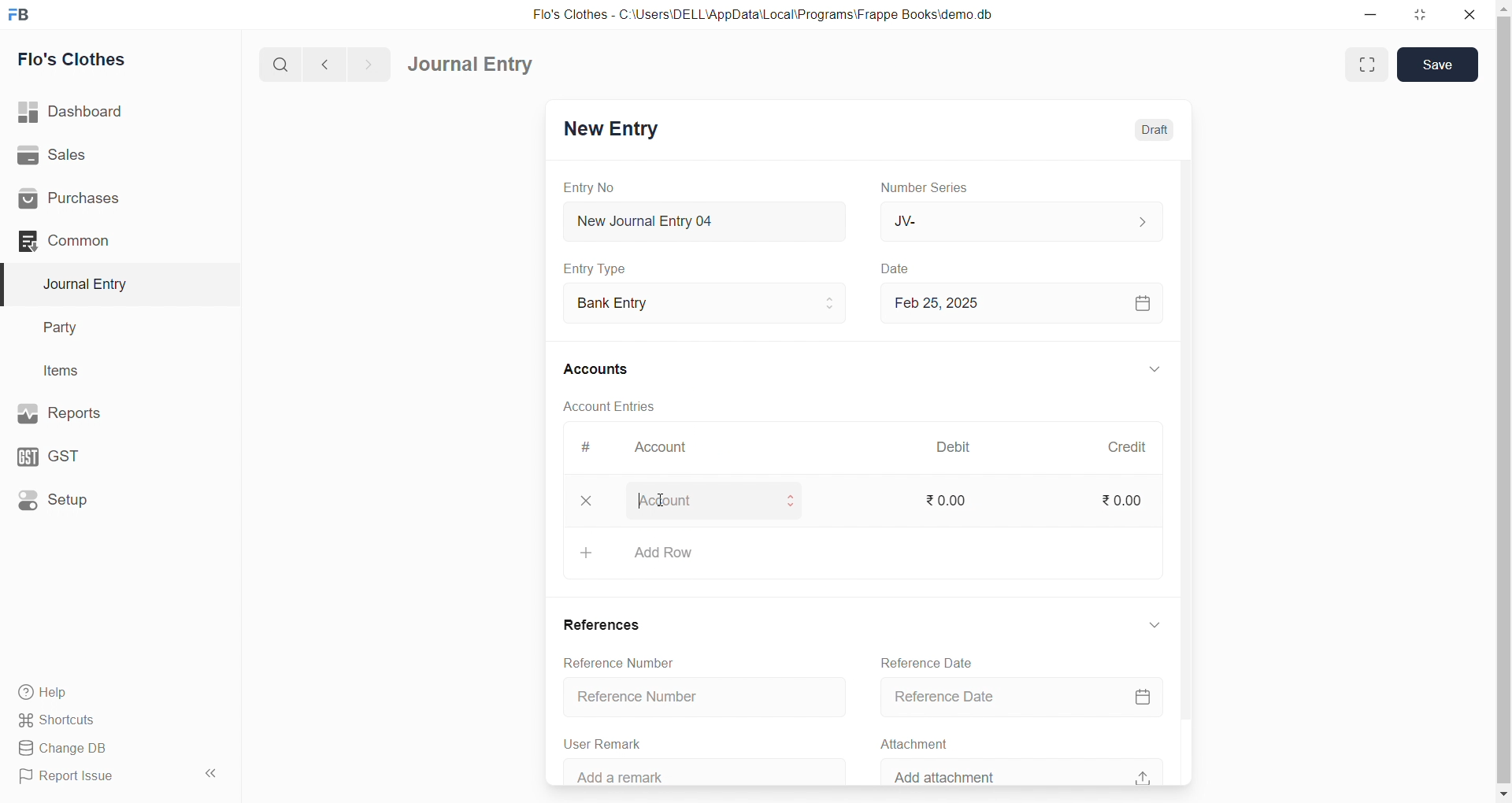  I want to click on Add Row , so click(865, 553).